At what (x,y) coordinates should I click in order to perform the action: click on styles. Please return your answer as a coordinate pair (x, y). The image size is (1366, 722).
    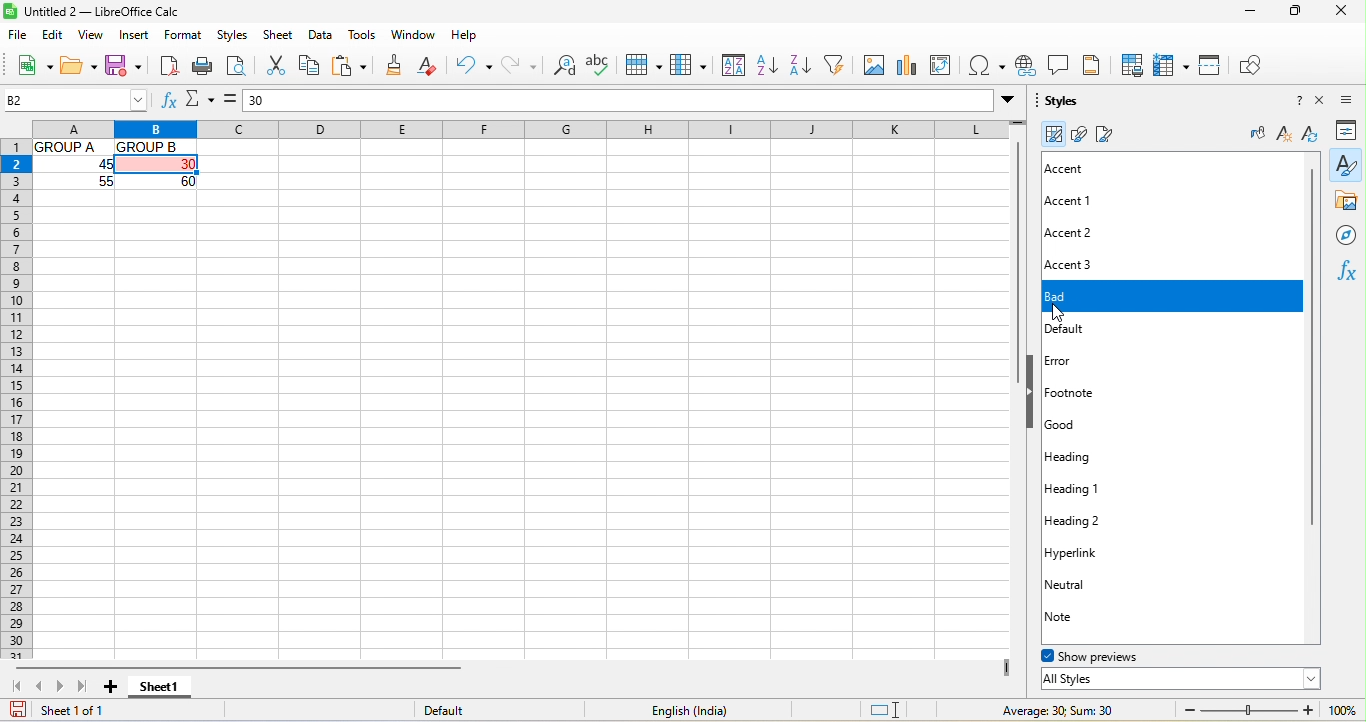
    Looking at the image, I should click on (1066, 102).